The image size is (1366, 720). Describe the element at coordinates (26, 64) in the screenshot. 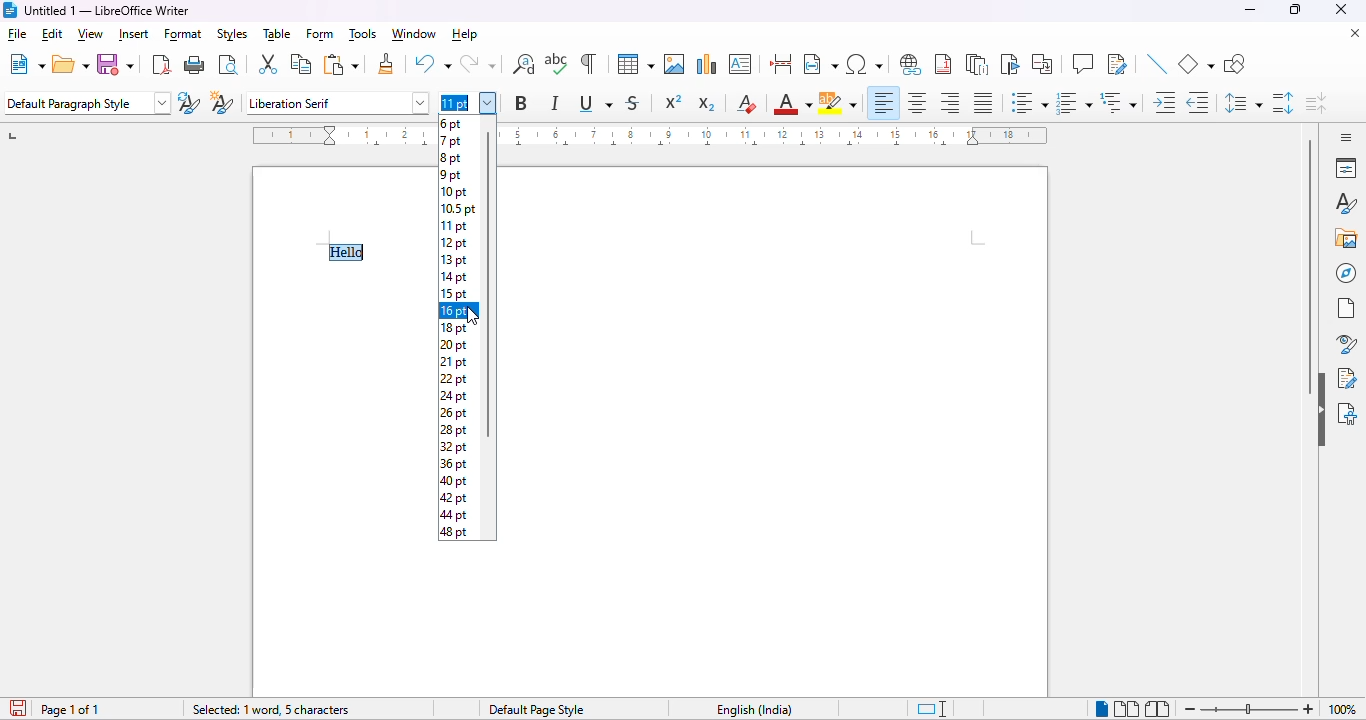

I see `new` at that location.